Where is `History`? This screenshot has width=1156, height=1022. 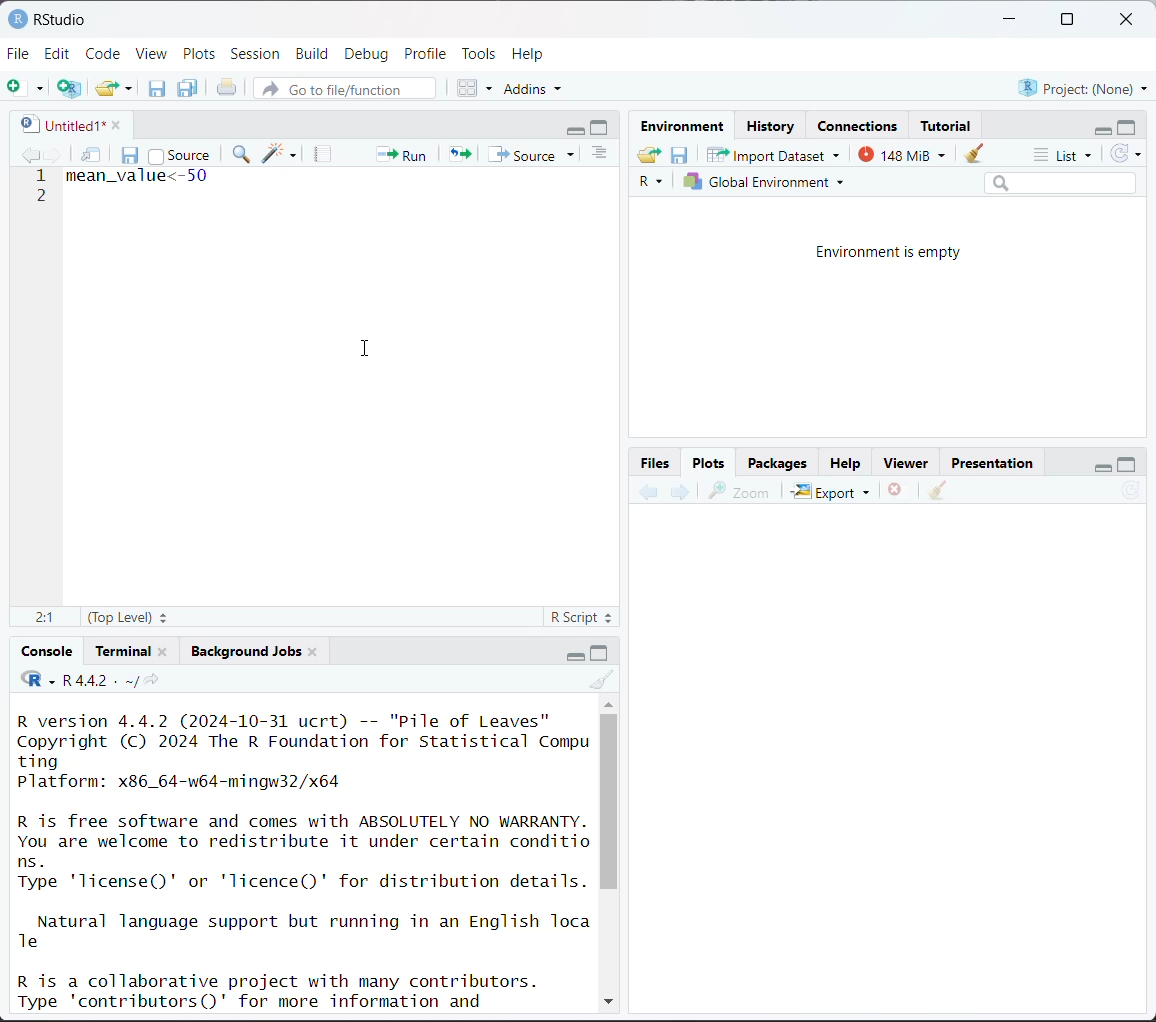
History is located at coordinates (772, 126).